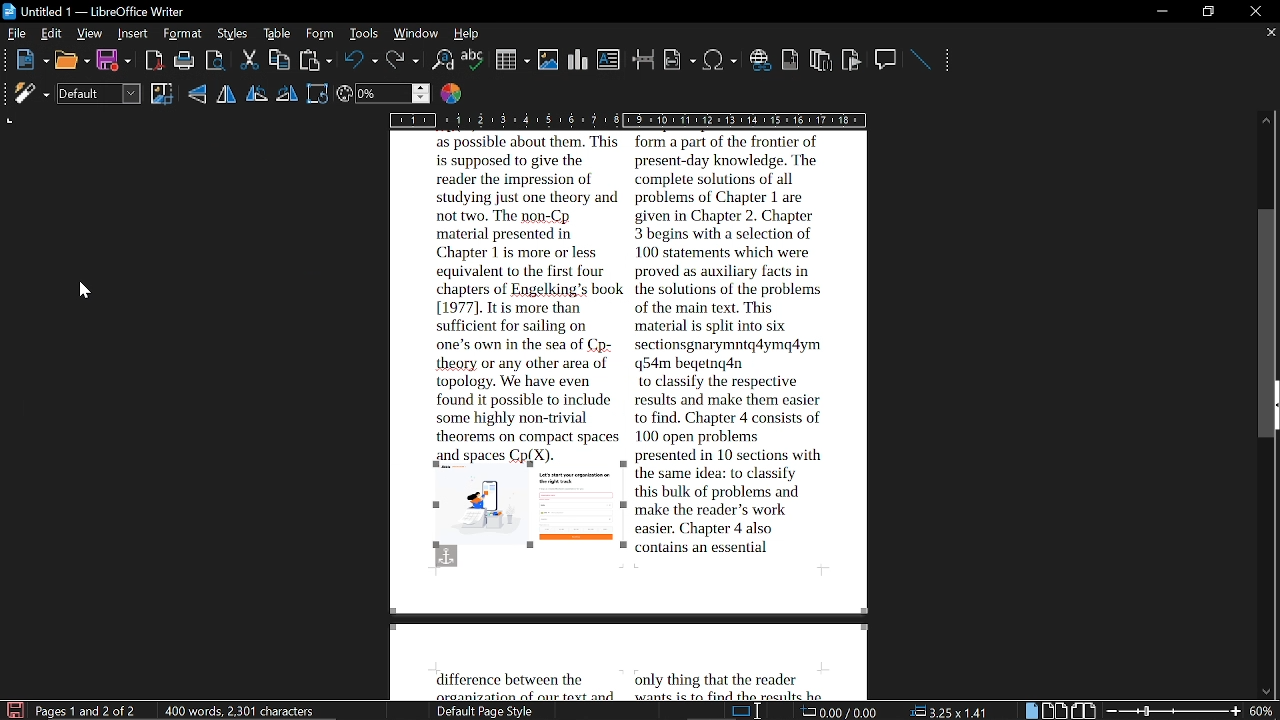 The height and width of the screenshot is (720, 1280). I want to click on image model, so click(102, 93).